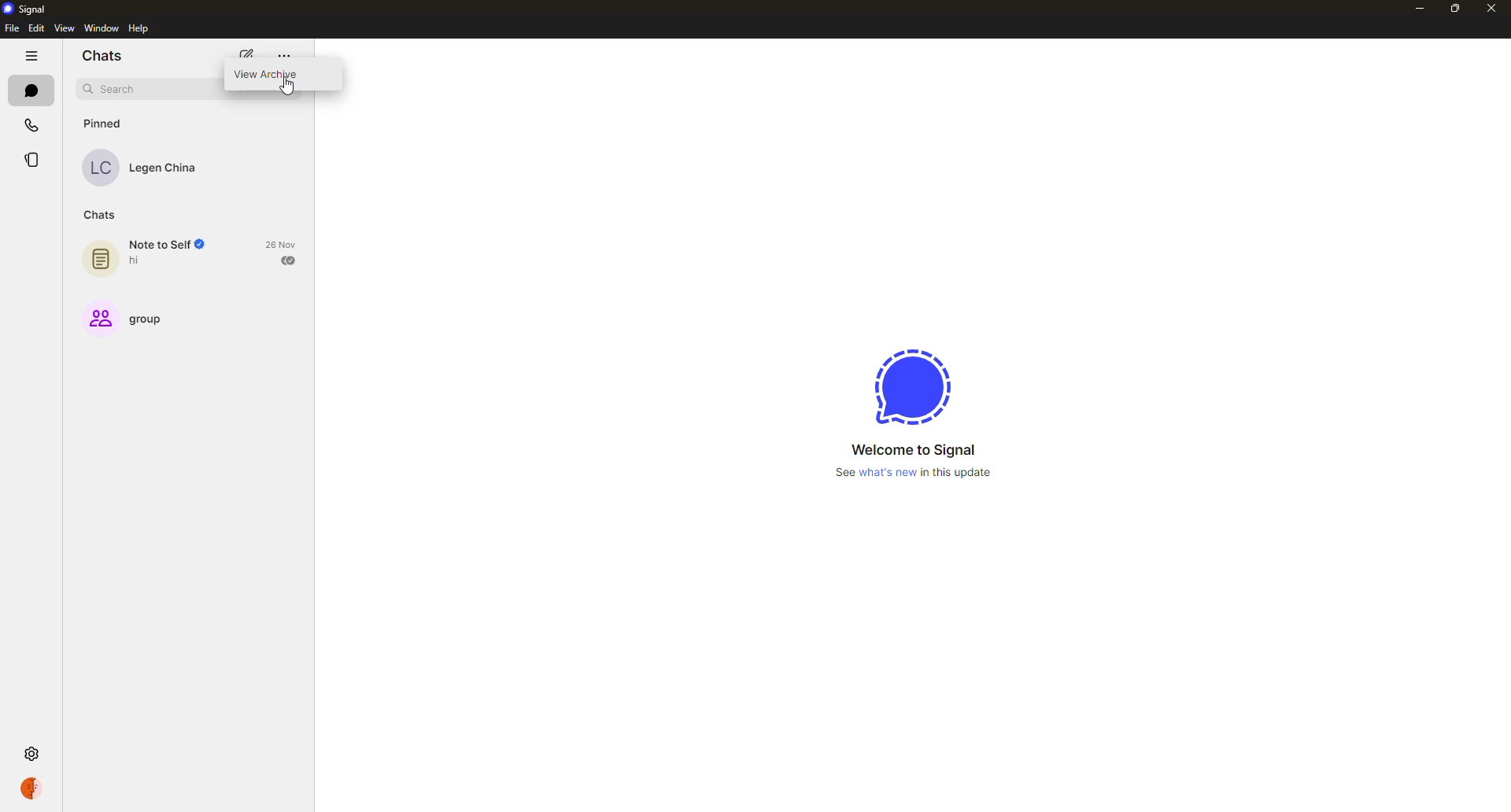 Image resolution: width=1511 pixels, height=812 pixels. What do you see at coordinates (288, 261) in the screenshot?
I see `sent` at bounding box center [288, 261].